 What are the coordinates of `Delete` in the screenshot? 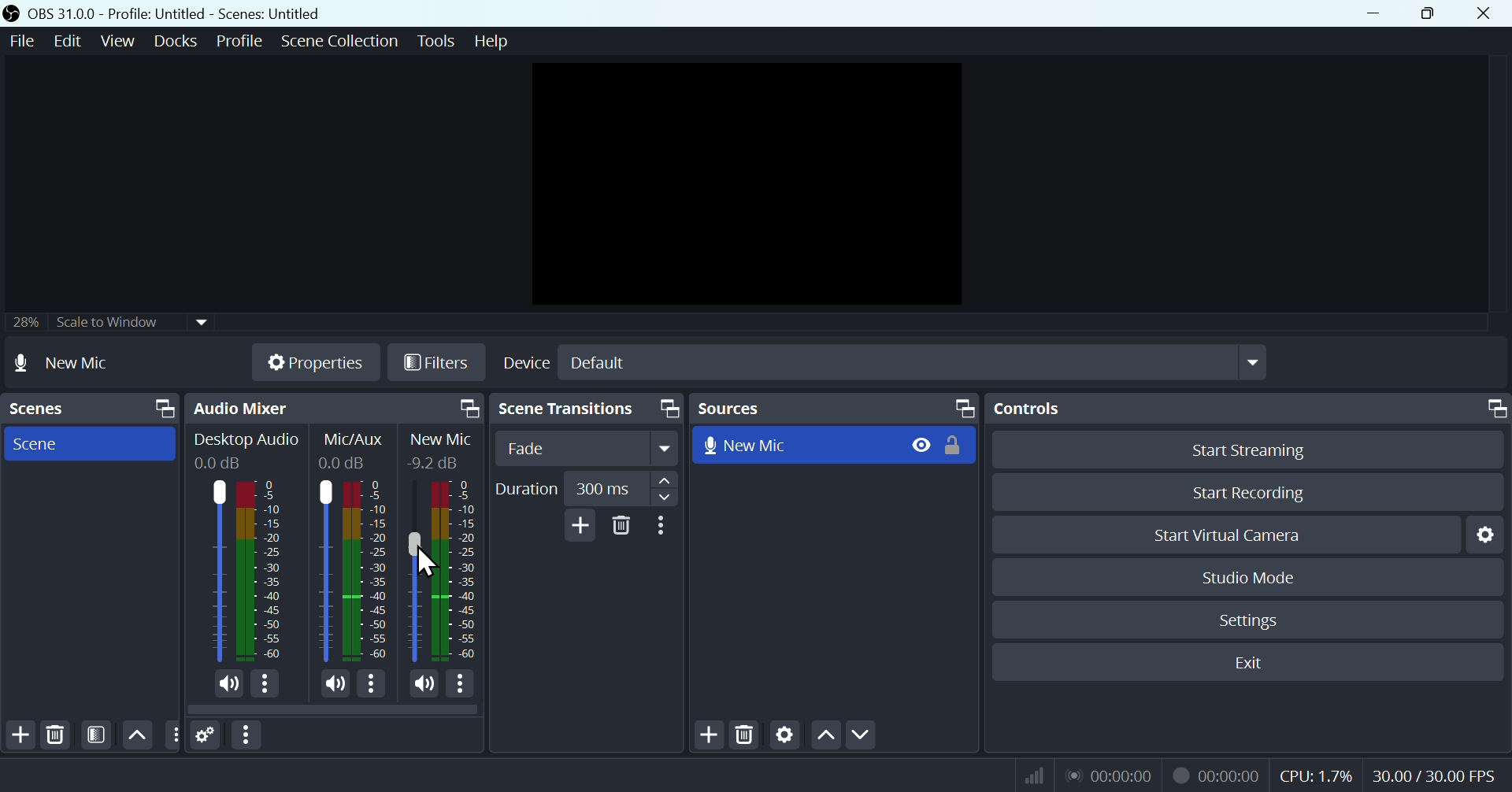 It's located at (747, 737).